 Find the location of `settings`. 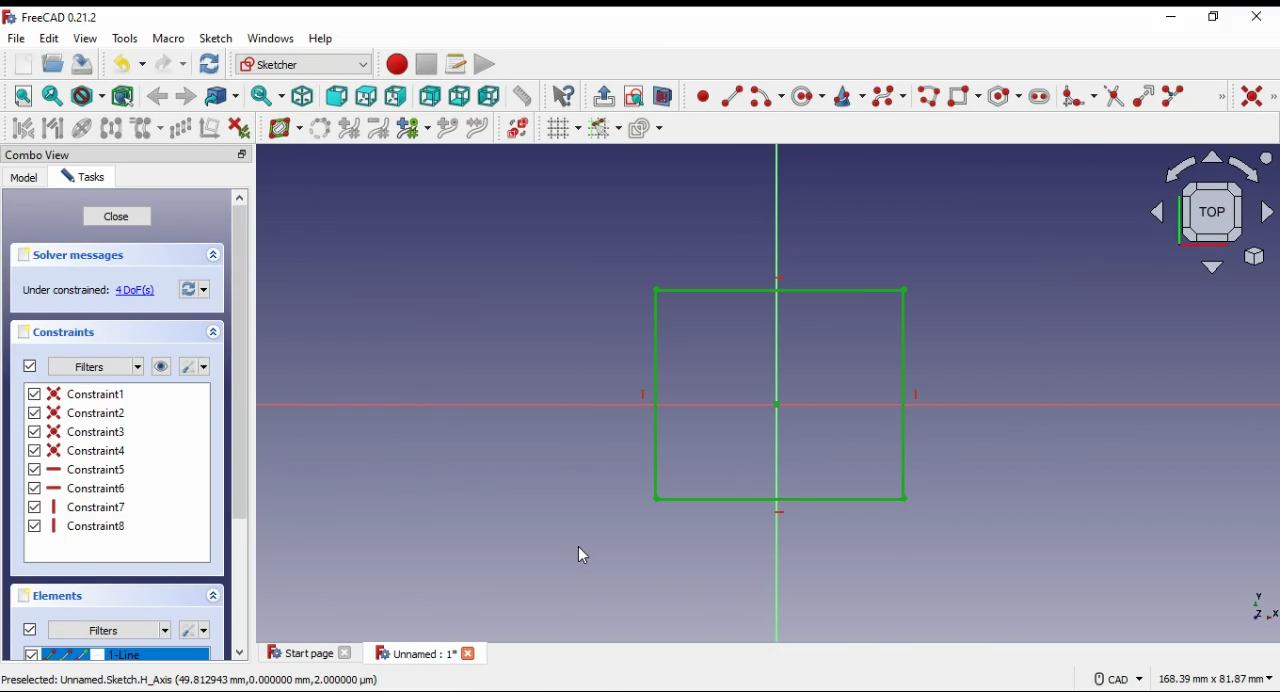

settings is located at coordinates (194, 366).